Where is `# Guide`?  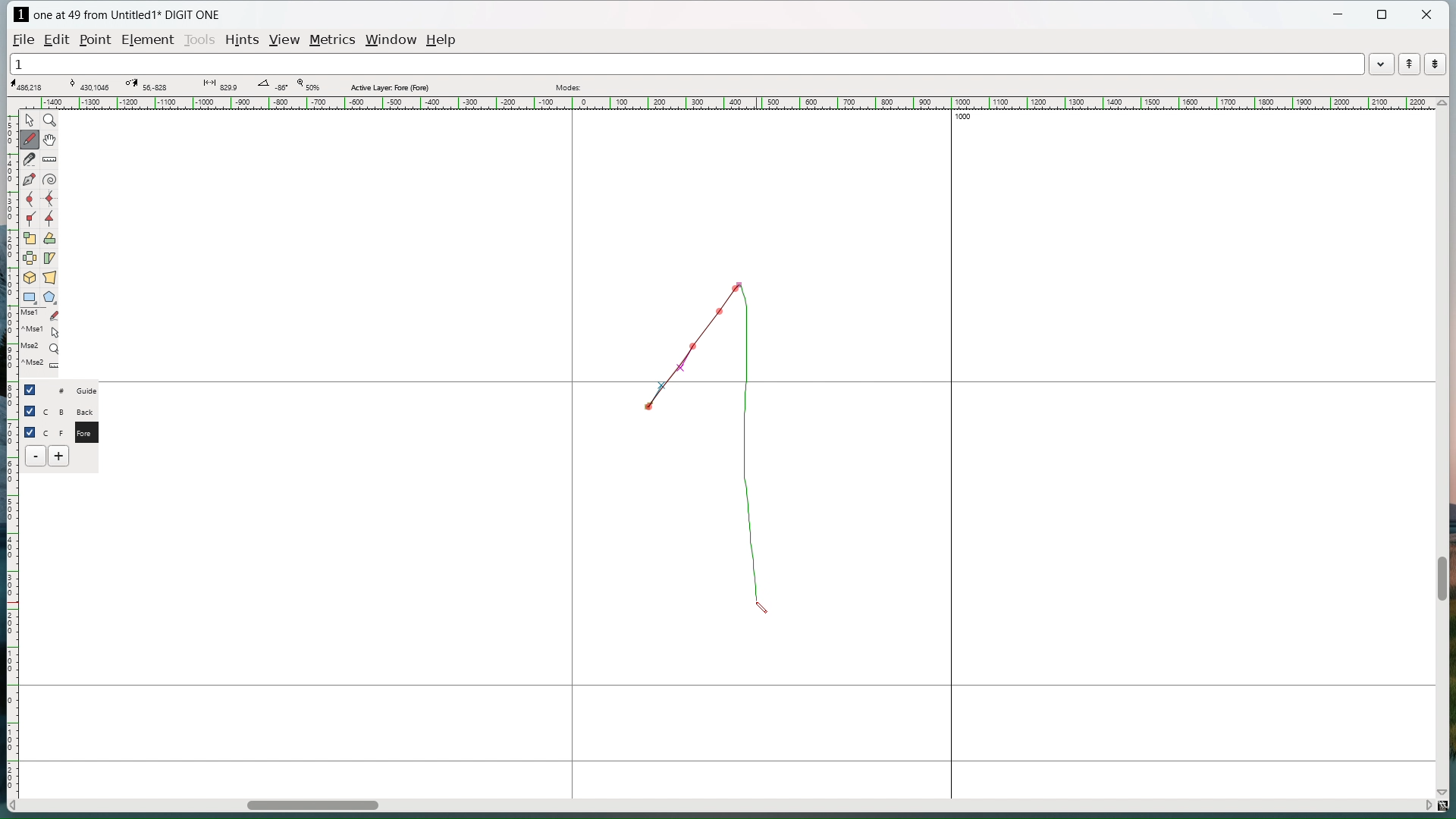 # Guide is located at coordinates (72, 390).